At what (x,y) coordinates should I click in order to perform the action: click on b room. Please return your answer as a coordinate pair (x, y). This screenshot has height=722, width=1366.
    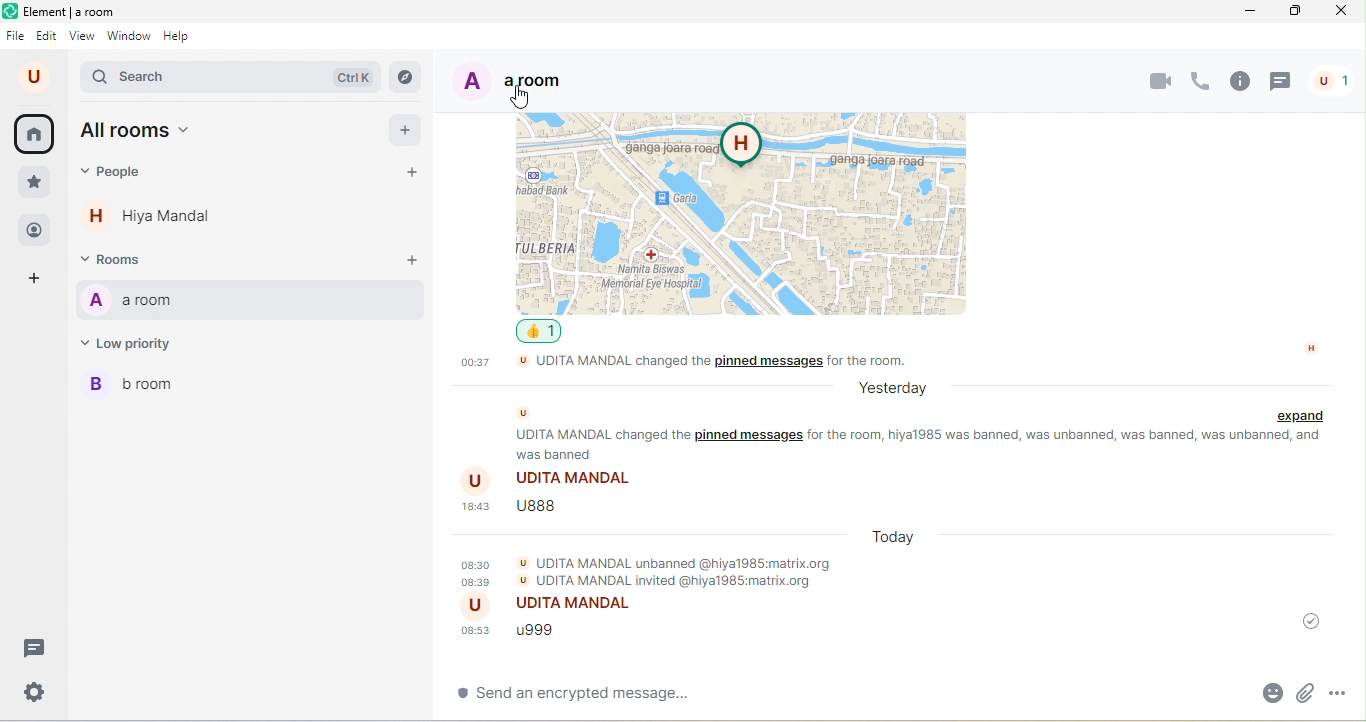
    Looking at the image, I should click on (140, 389).